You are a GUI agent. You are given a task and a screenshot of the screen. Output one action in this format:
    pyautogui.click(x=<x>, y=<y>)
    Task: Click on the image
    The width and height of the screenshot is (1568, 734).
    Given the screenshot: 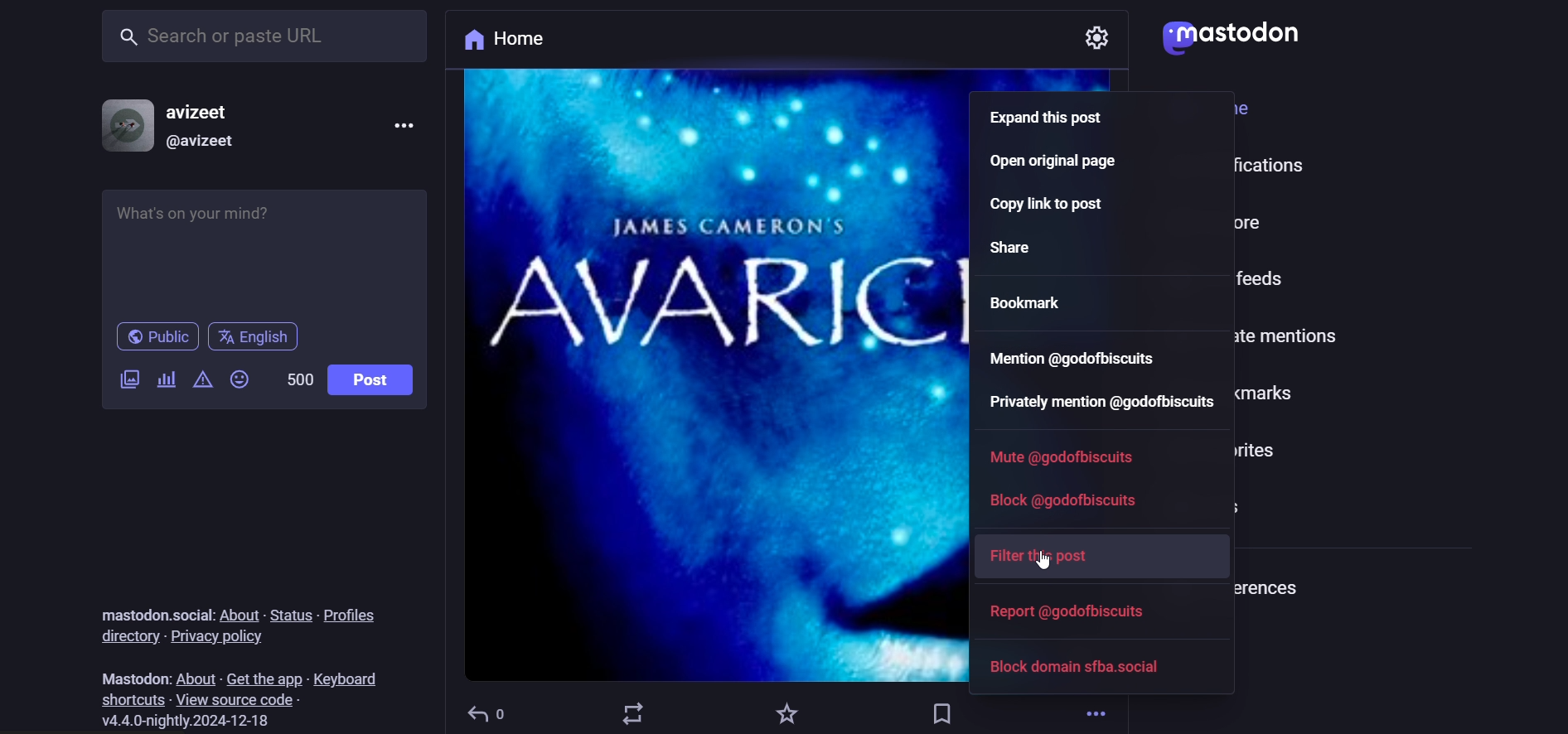 What is the action you would take?
    pyautogui.click(x=711, y=375)
    